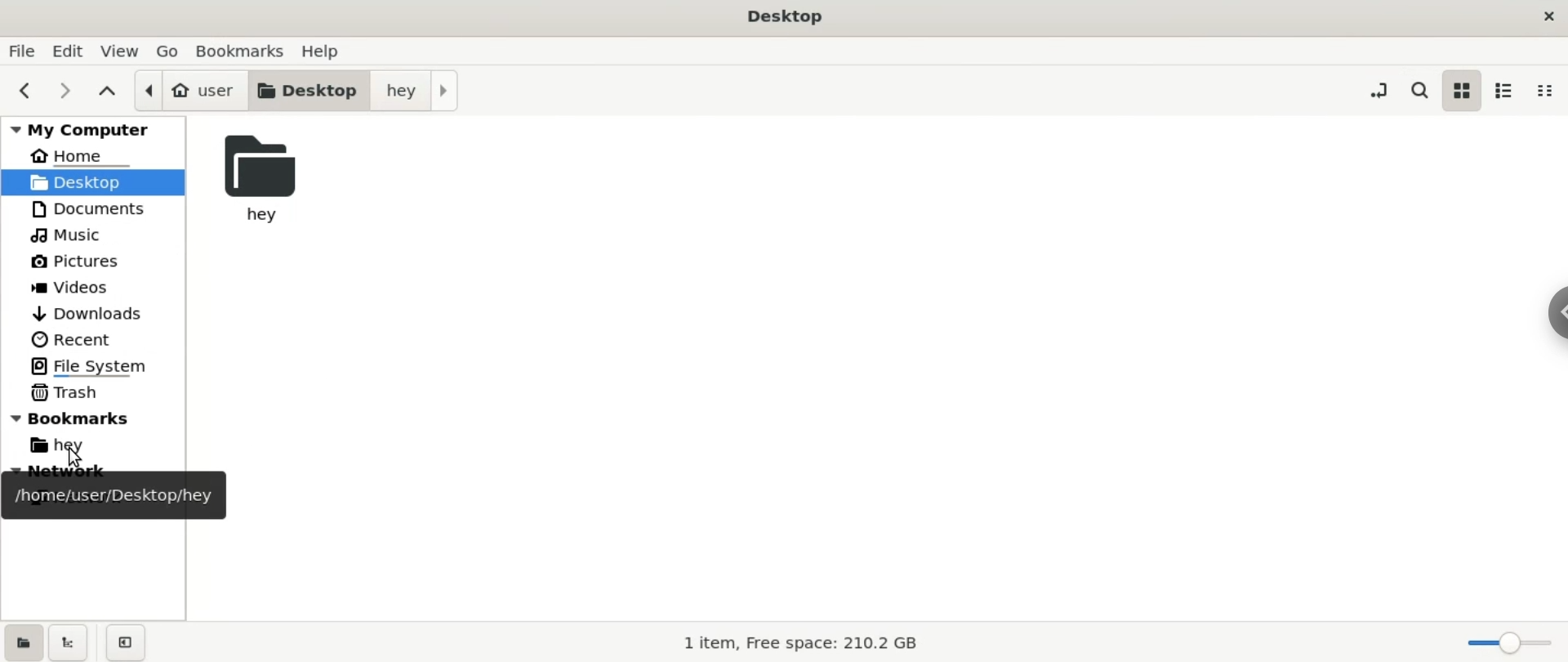 This screenshot has width=1568, height=662. What do you see at coordinates (93, 365) in the screenshot?
I see `file system` at bounding box center [93, 365].